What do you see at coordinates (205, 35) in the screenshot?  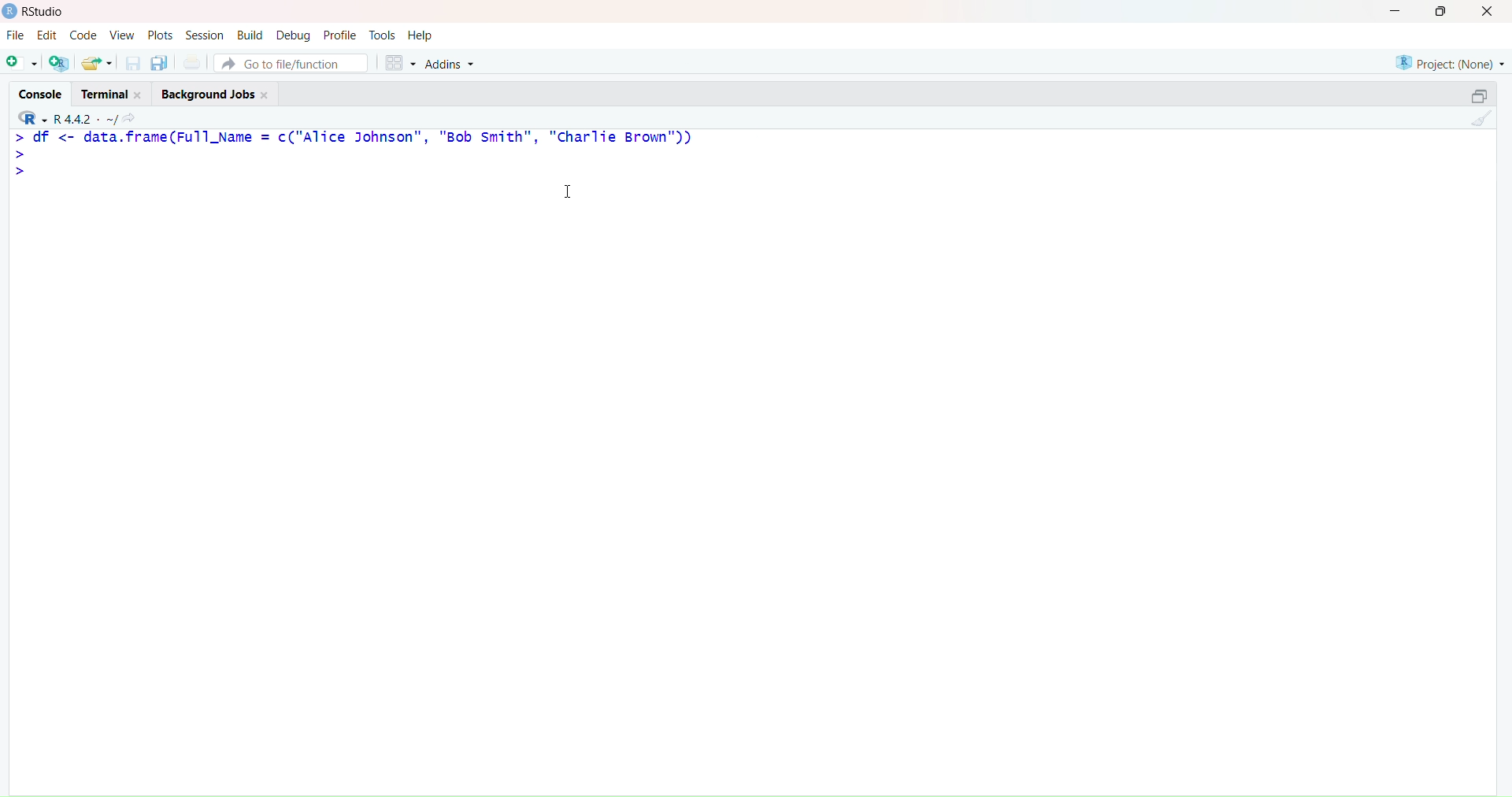 I see `Session` at bounding box center [205, 35].